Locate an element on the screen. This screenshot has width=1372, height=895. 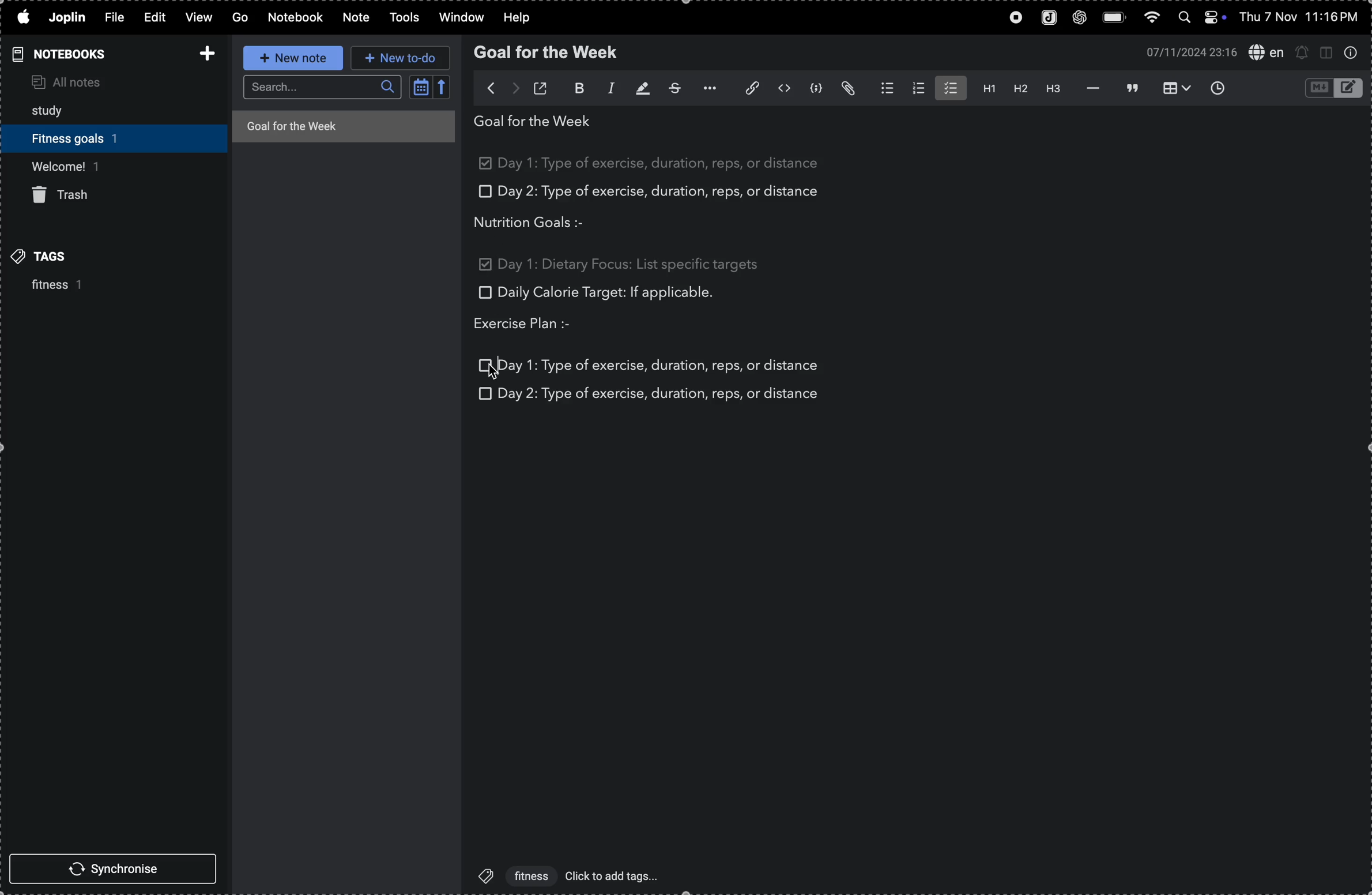
view is located at coordinates (199, 17).